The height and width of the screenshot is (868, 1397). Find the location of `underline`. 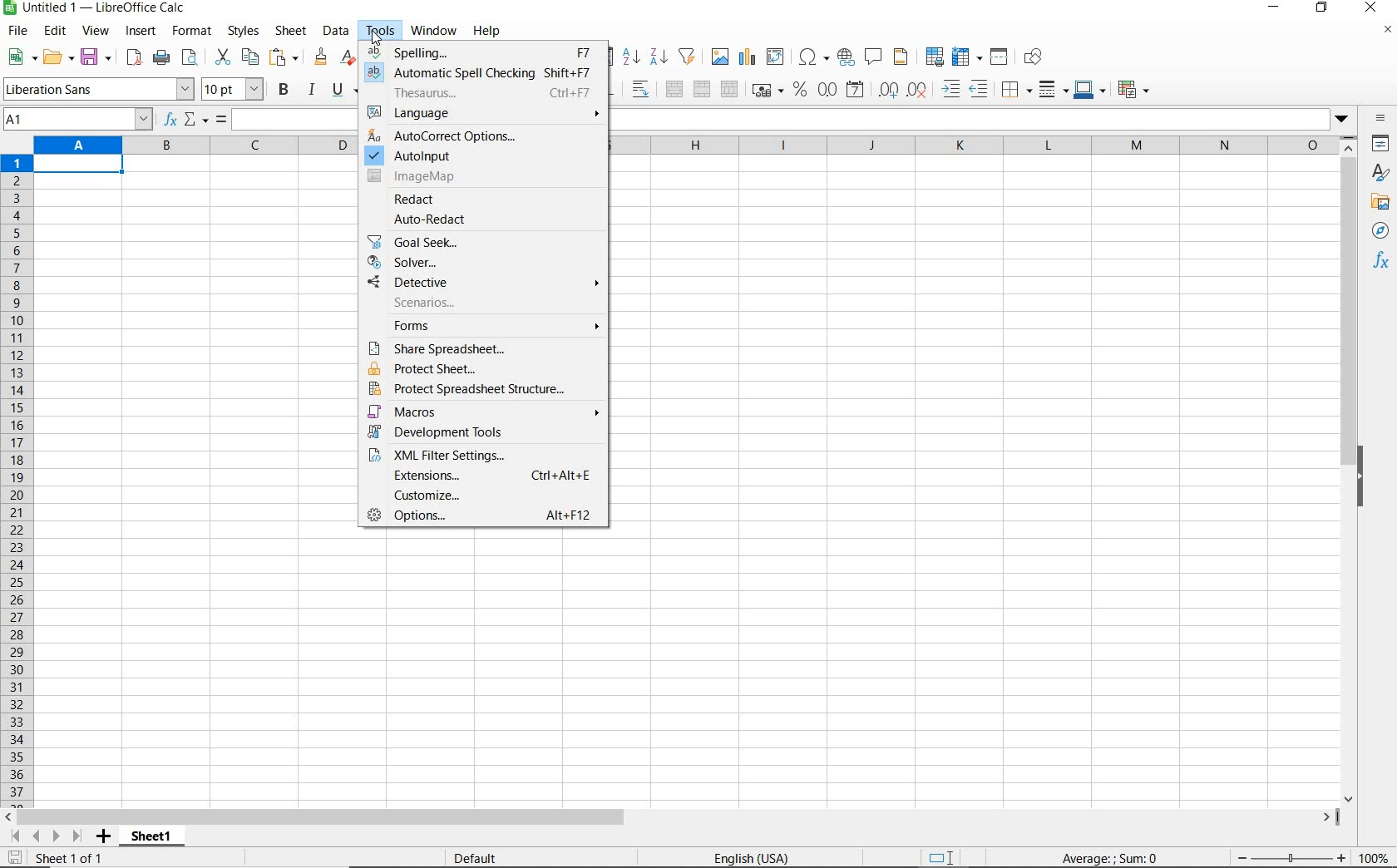

underline is located at coordinates (344, 89).